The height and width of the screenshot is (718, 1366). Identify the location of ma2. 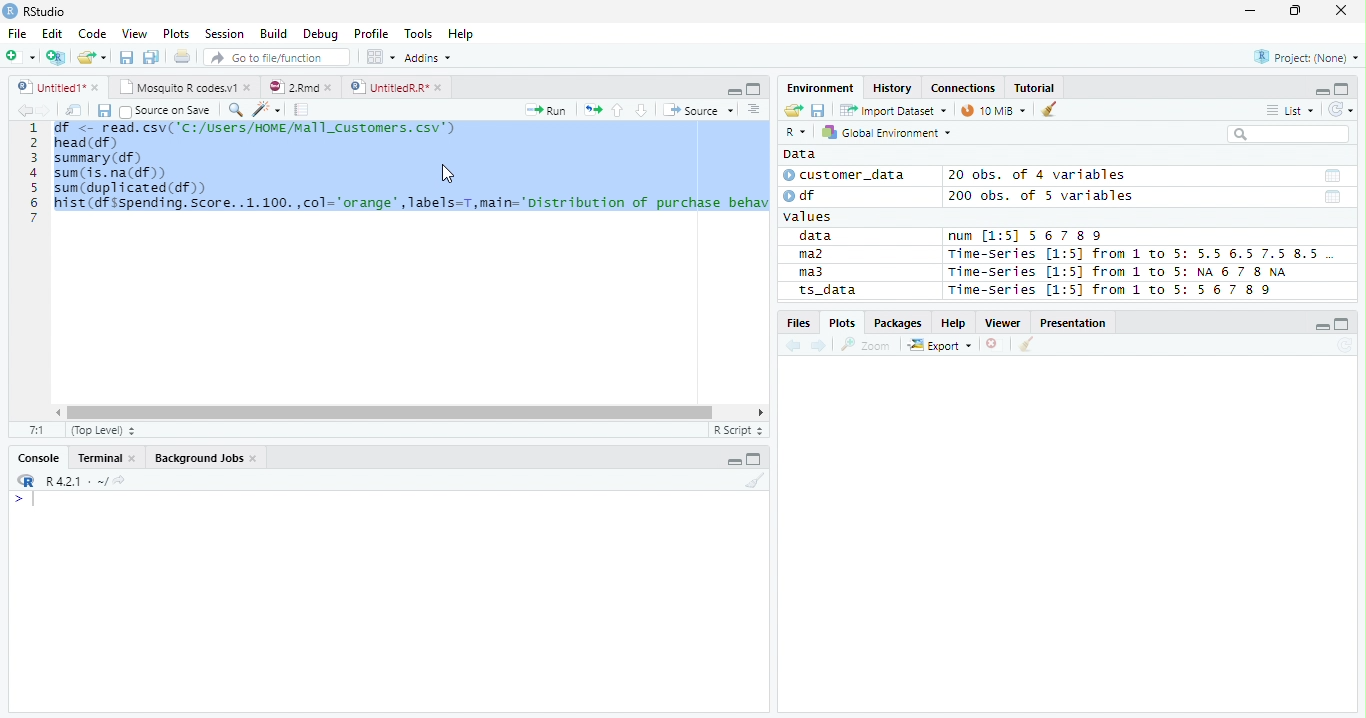
(816, 256).